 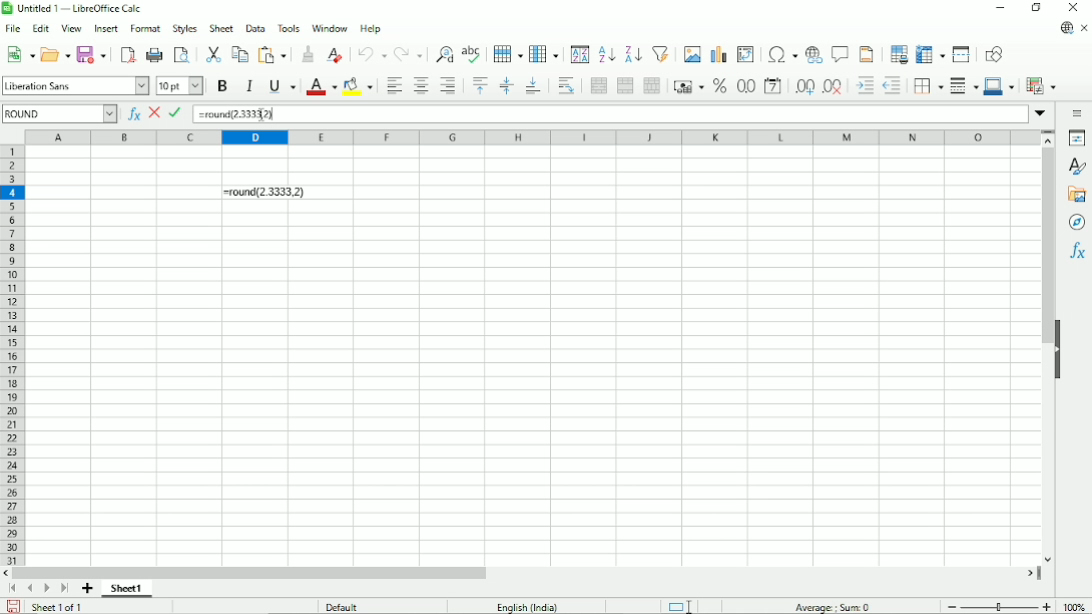 What do you see at coordinates (107, 28) in the screenshot?
I see `Insert` at bounding box center [107, 28].